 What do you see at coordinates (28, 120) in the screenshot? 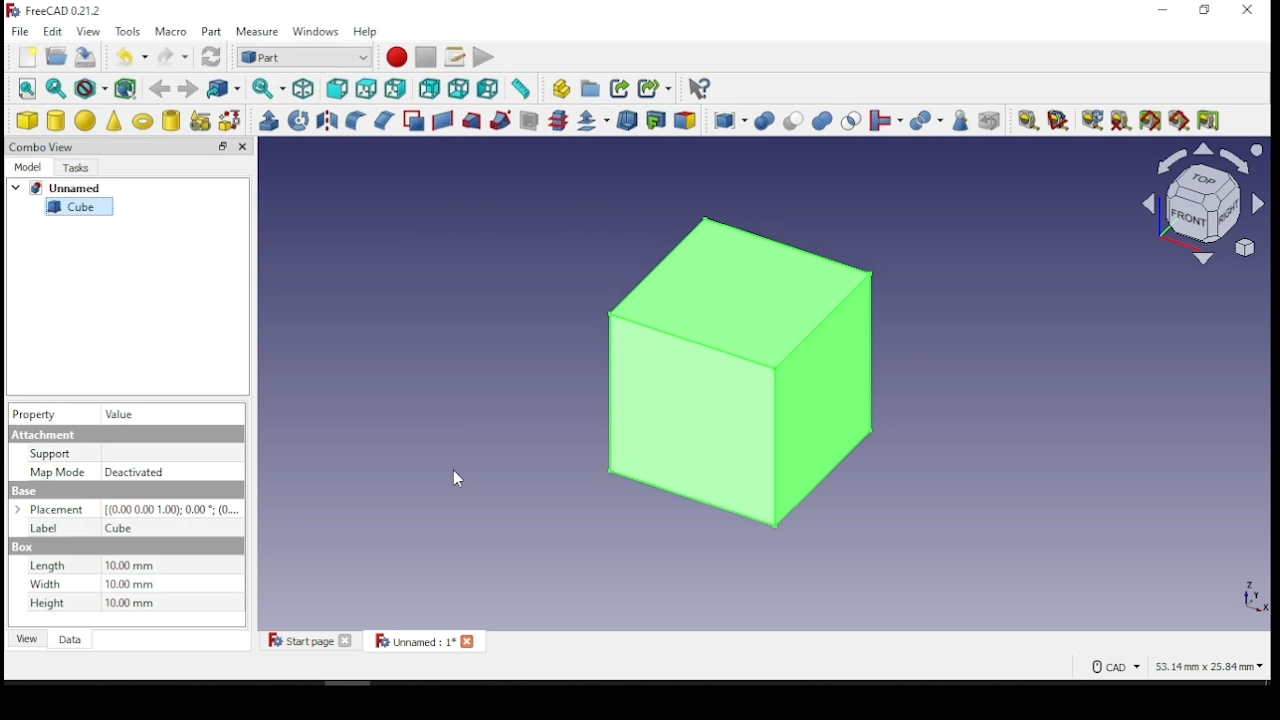
I see `cube` at bounding box center [28, 120].